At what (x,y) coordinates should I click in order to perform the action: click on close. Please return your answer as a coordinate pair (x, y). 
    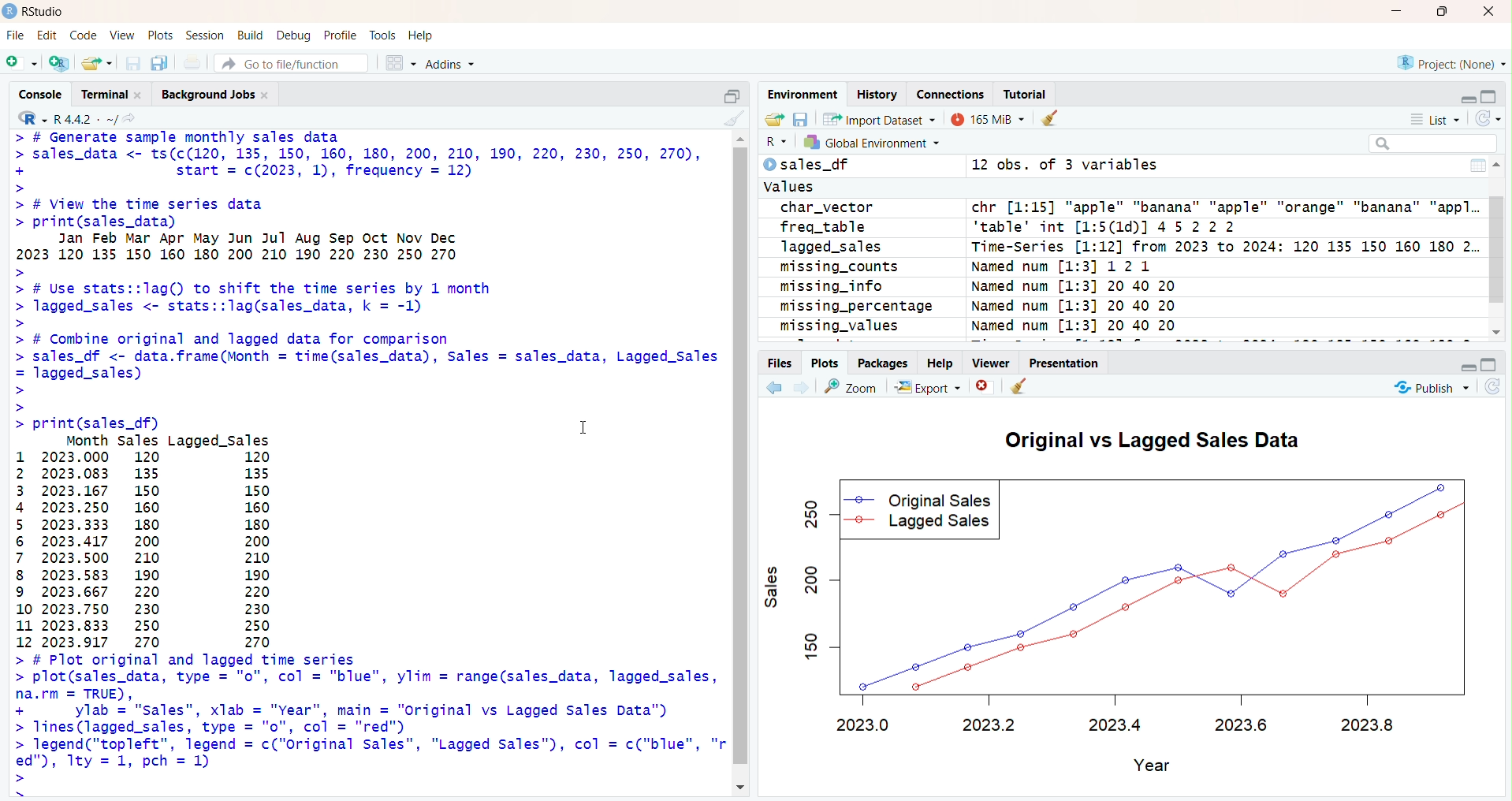
    Looking at the image, I should click on (1485, 12).